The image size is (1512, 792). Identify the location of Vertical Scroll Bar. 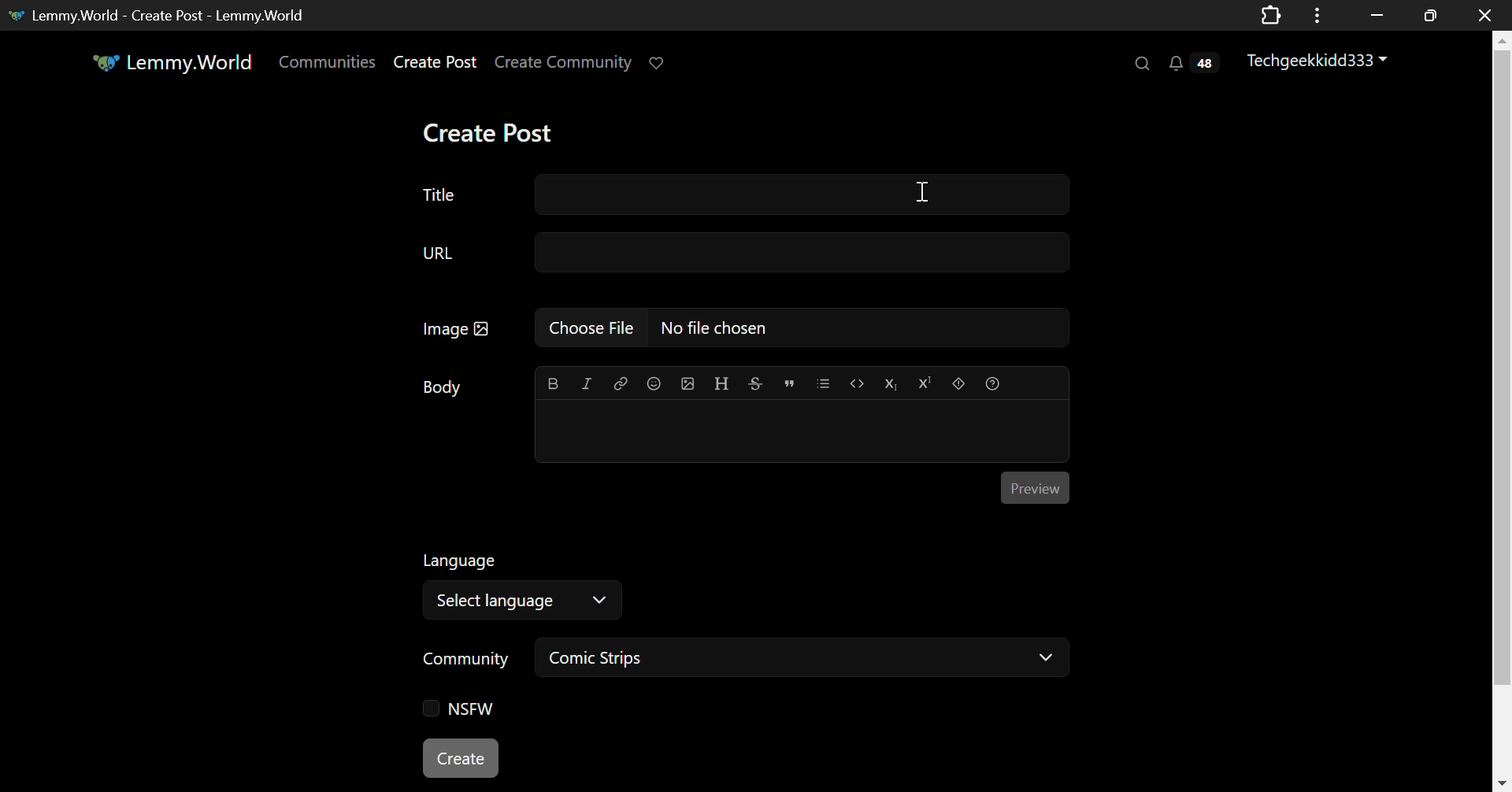
(1503, 418).